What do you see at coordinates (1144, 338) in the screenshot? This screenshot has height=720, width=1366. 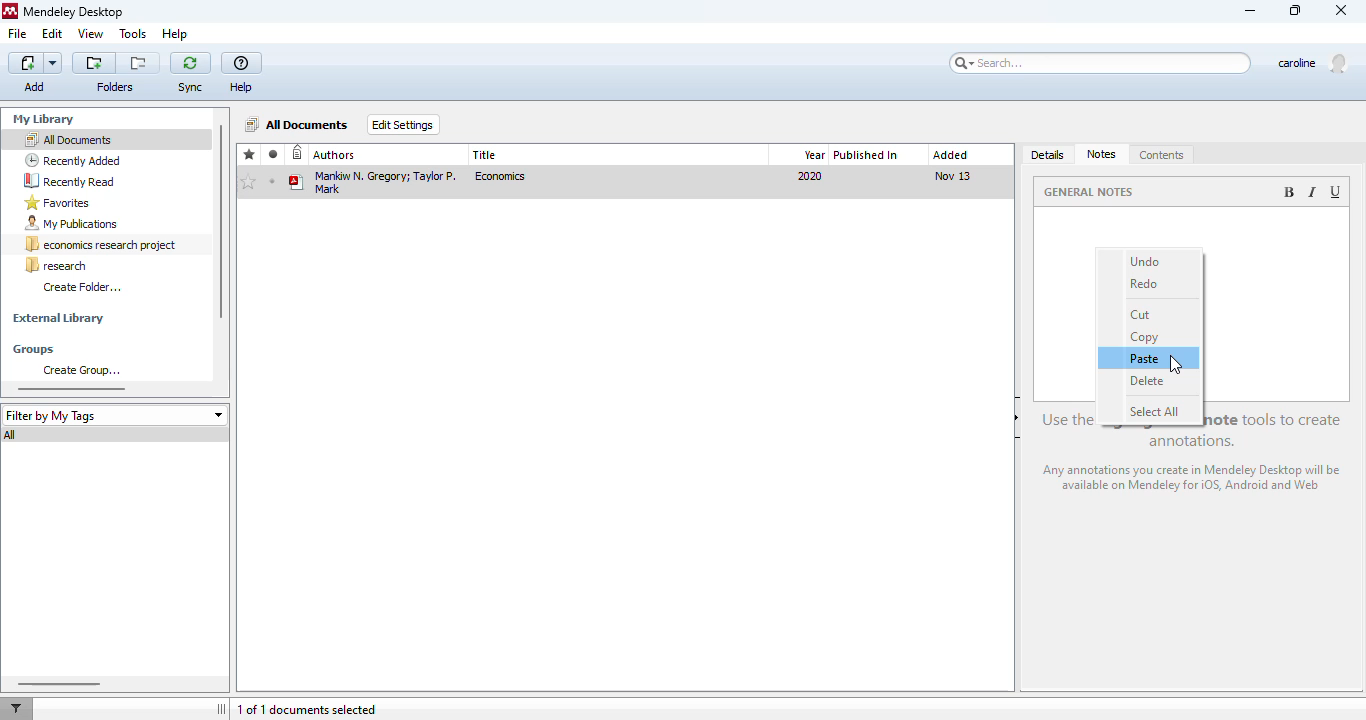 I see `copy` at bounding box center [1144, 338].